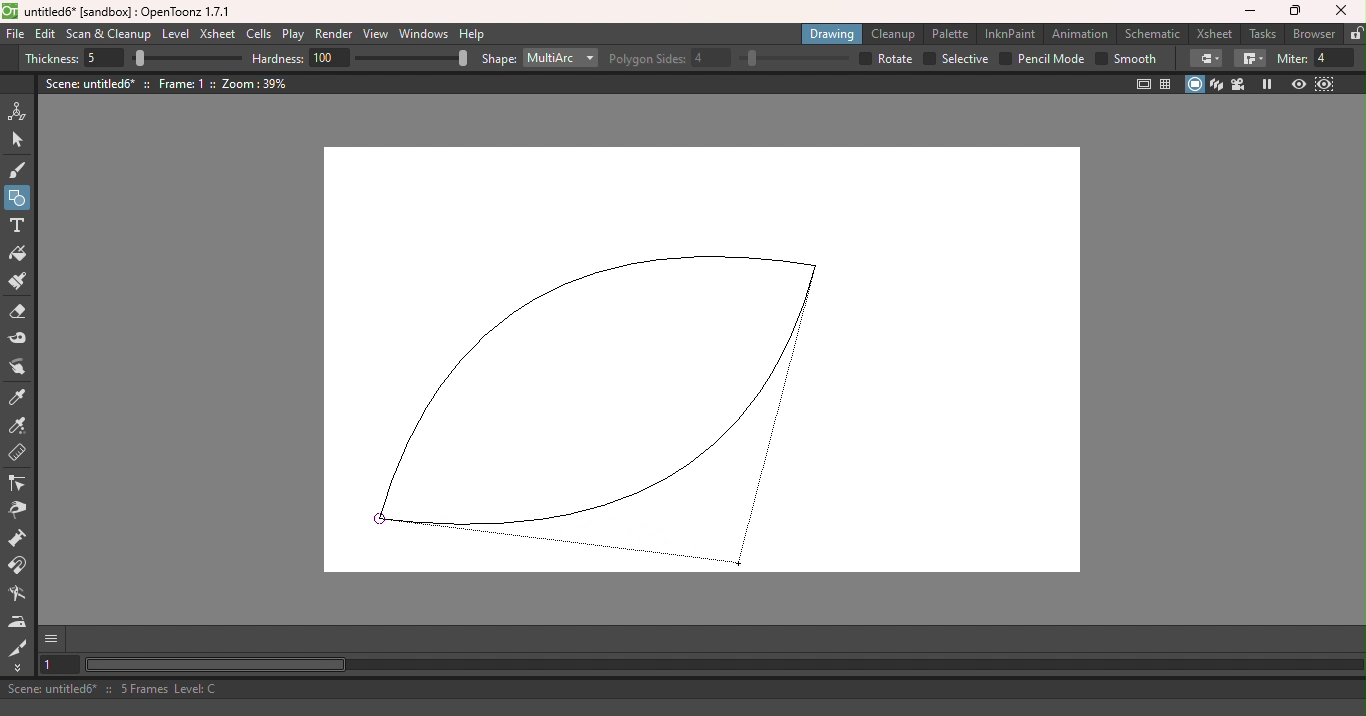  I want to click on Safe area, so click(1144, 84).